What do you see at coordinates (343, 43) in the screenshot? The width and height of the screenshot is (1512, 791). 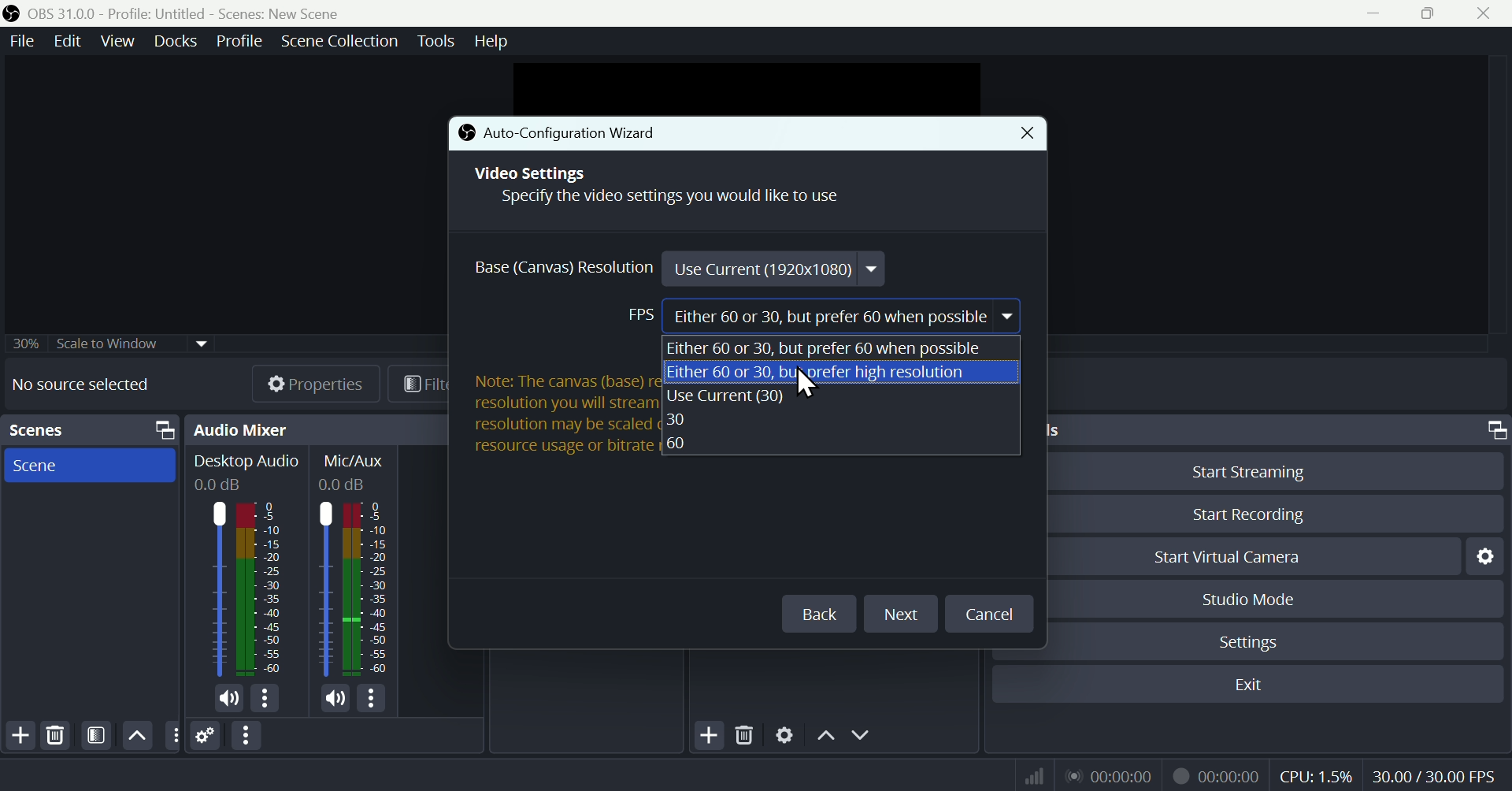 I see `Scene collection` at bounding box center [343, 43].